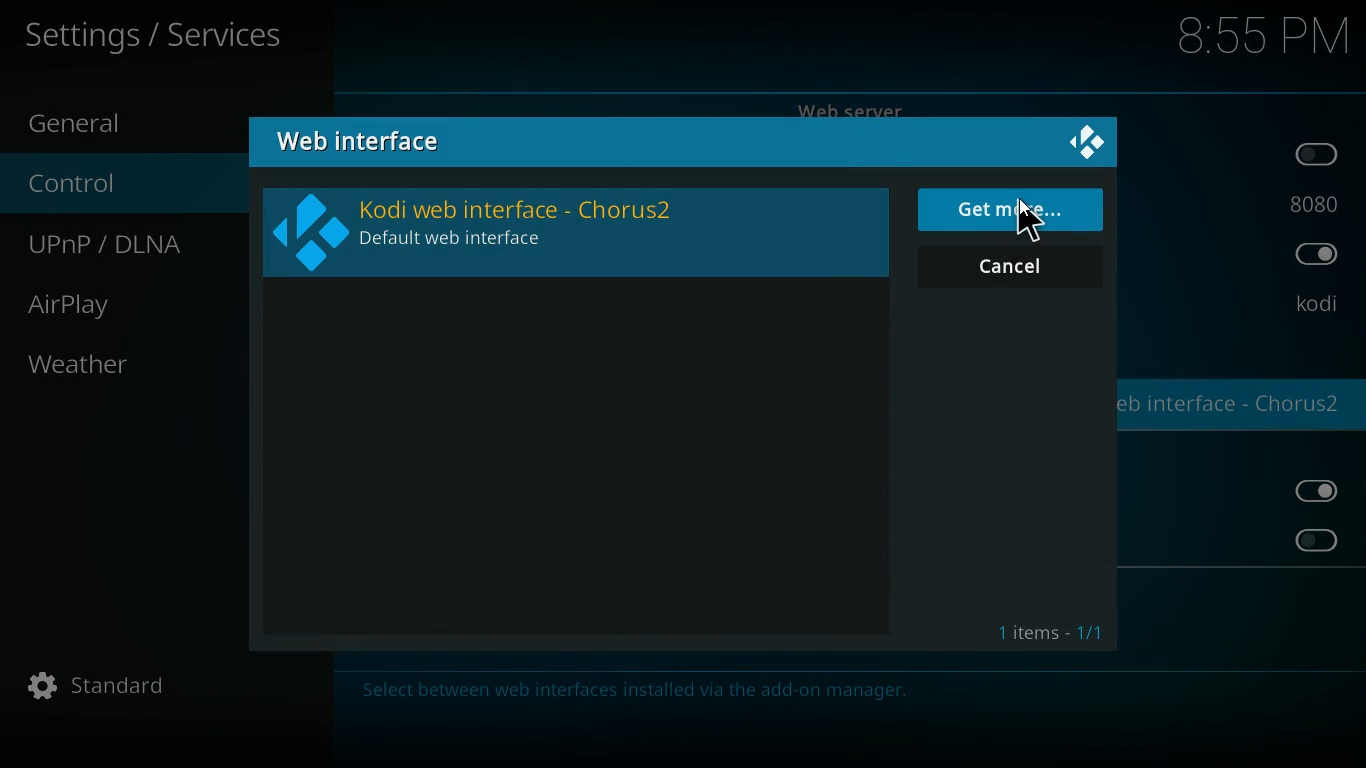  I want to click on General, so click(99, 121).